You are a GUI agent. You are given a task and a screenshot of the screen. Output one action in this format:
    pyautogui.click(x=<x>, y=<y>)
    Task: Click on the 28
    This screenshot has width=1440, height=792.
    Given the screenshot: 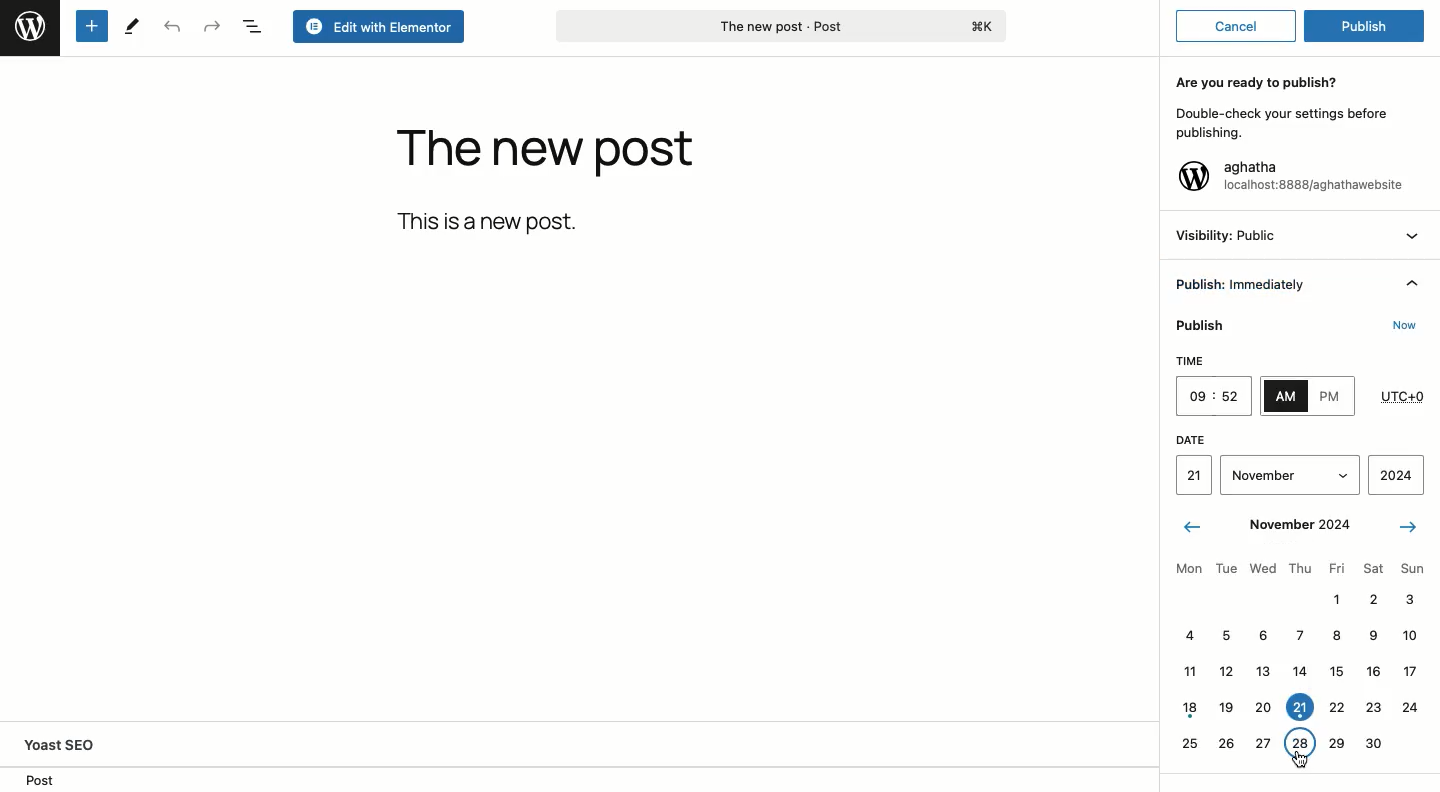 What is the action you would take?
    pyautogui.click(x=1298, y=742)
    